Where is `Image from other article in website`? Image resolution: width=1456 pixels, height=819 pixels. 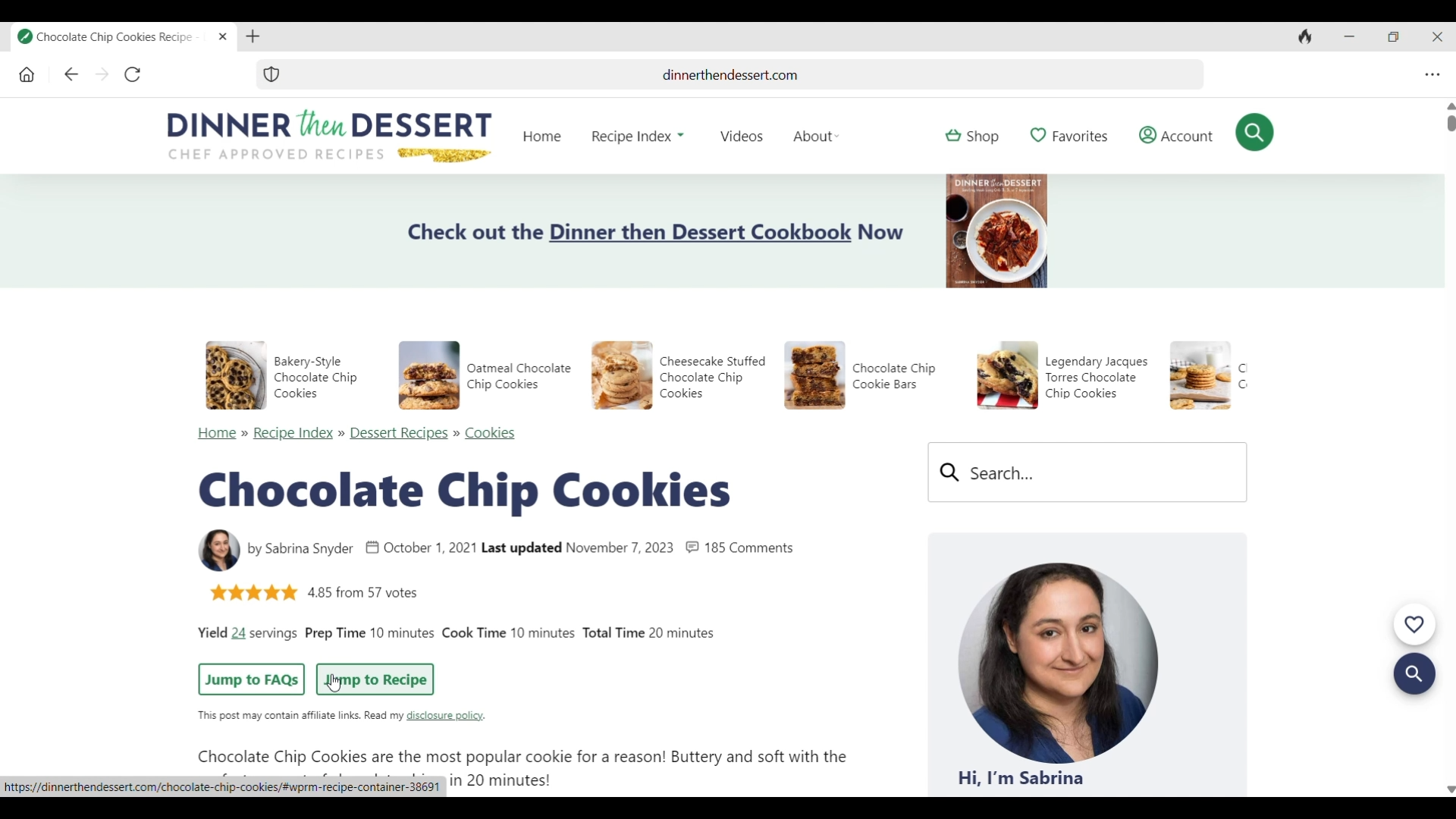 Image from other article in website is located at coordinates (429, 375).